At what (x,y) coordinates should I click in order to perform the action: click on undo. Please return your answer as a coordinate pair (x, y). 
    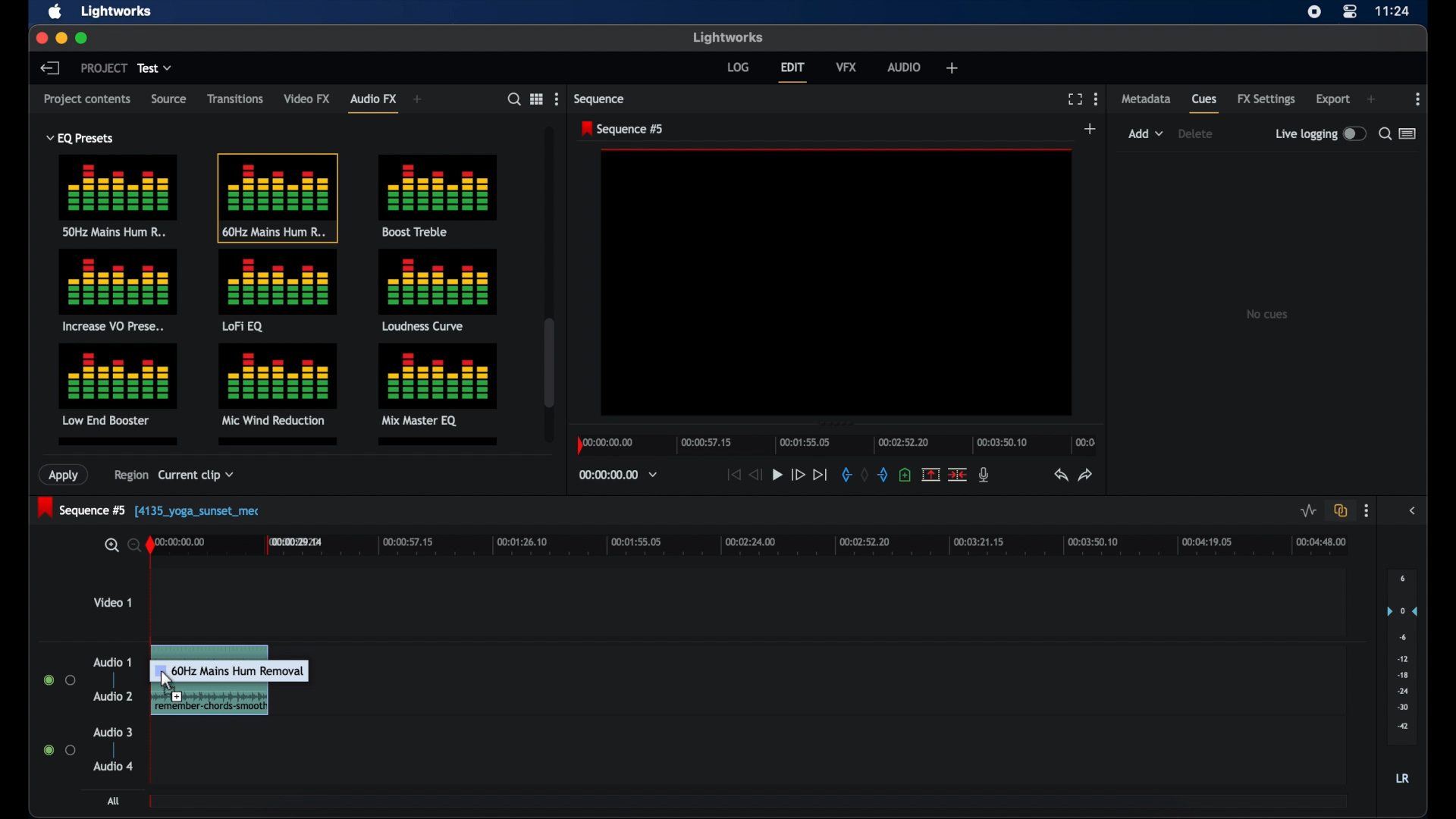
    Looking at the image, I should click on (1059, 475).